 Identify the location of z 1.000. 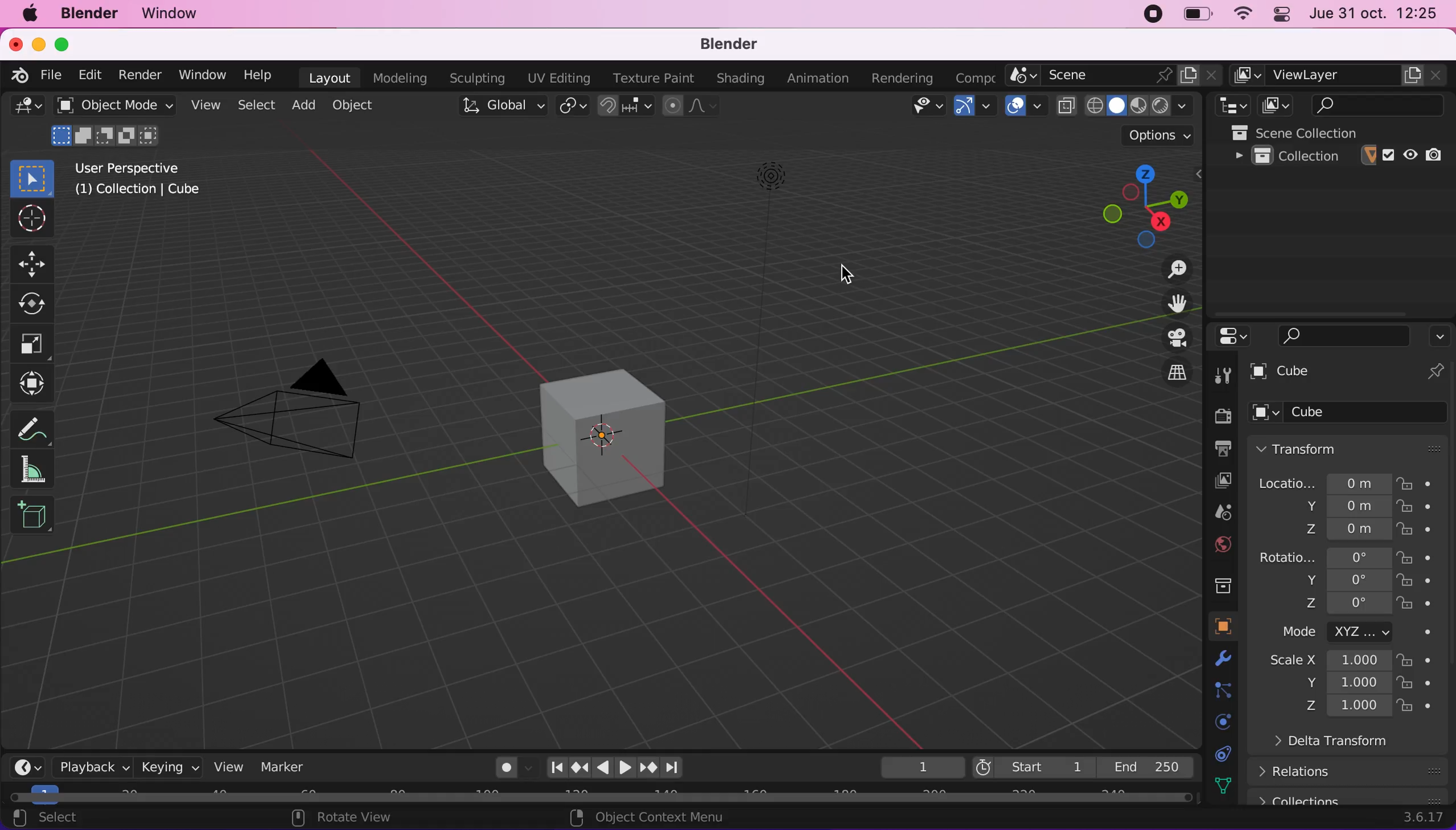
(1348, 707).